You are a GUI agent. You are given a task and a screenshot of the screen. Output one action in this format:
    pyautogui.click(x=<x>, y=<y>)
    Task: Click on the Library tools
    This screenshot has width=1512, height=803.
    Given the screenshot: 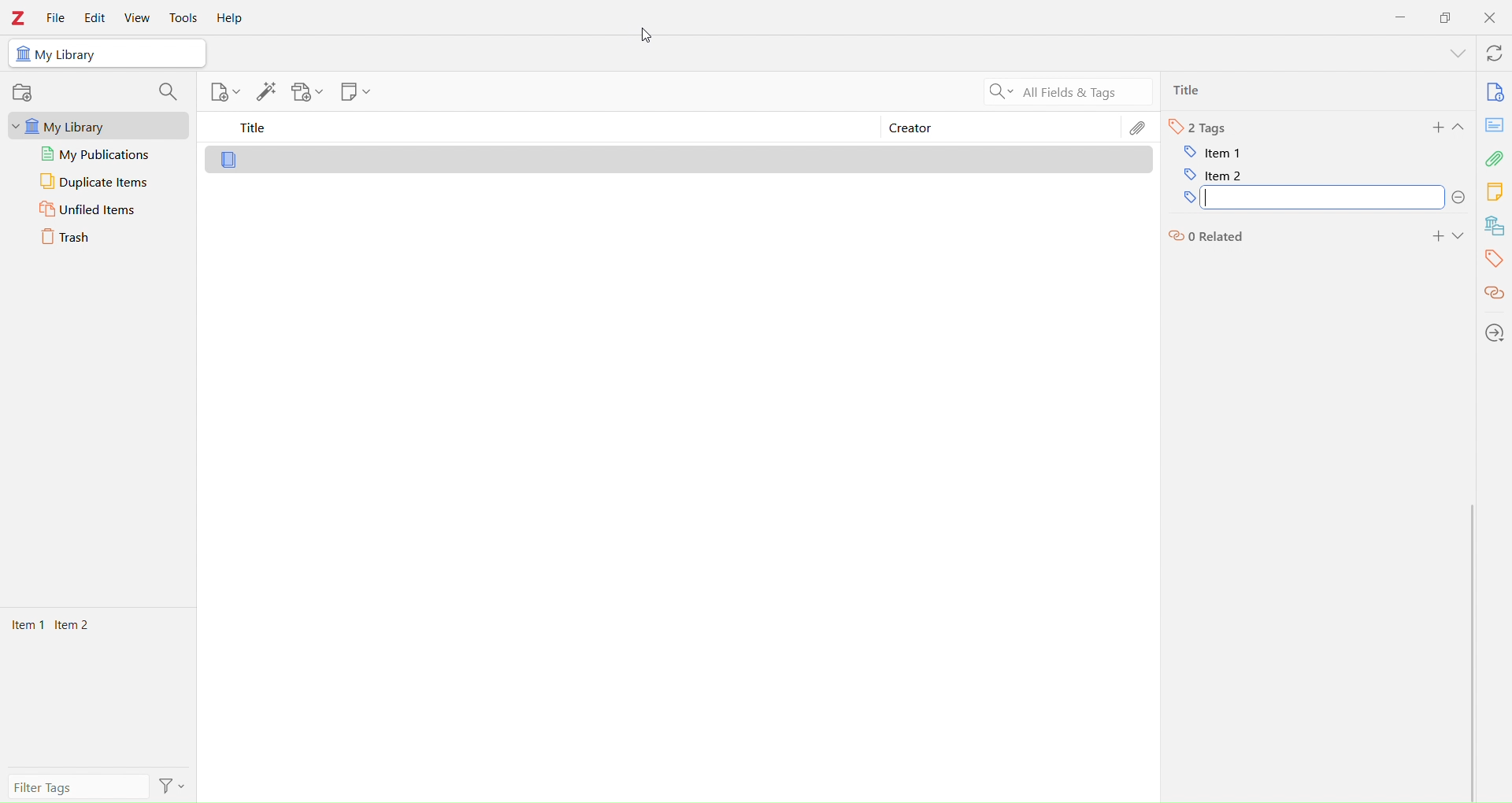 What is the action you would take?
    pyautogui.click(x=284, y=93)
    